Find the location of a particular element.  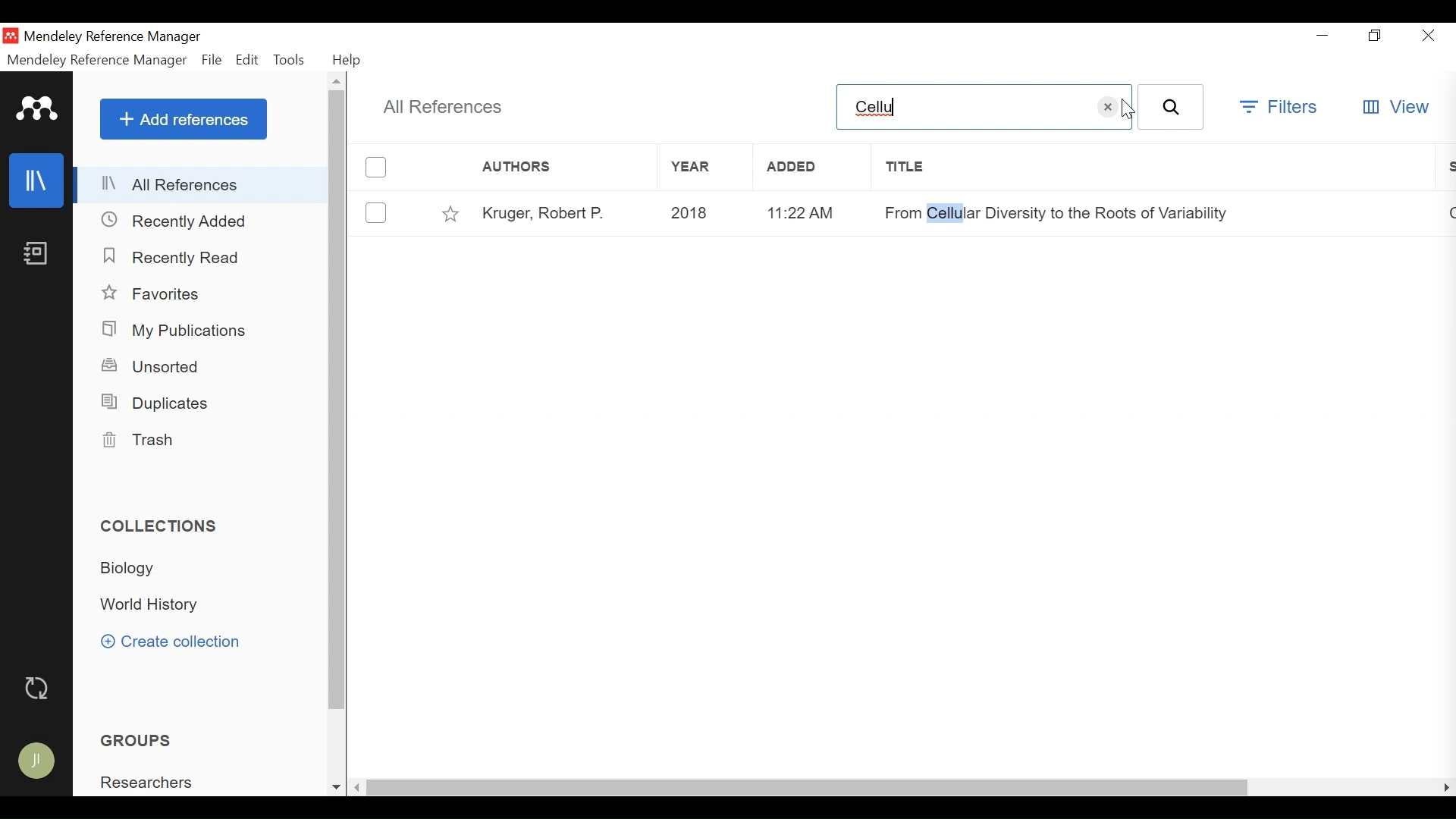

Duplicates is located at coordinates (162, 403).